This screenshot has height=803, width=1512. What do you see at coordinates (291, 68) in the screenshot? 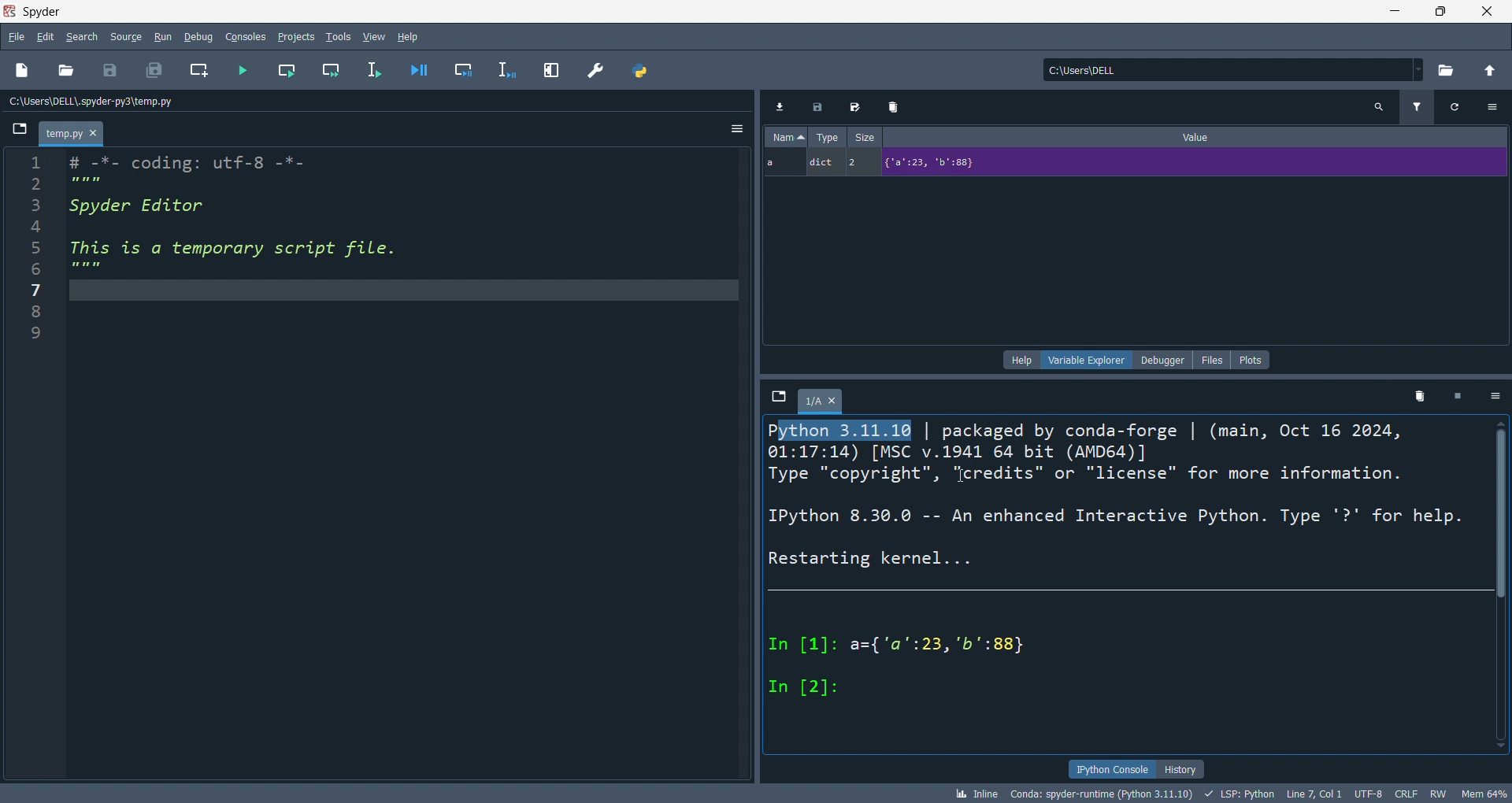
I see `run cell` at bounding box center [291, 68].